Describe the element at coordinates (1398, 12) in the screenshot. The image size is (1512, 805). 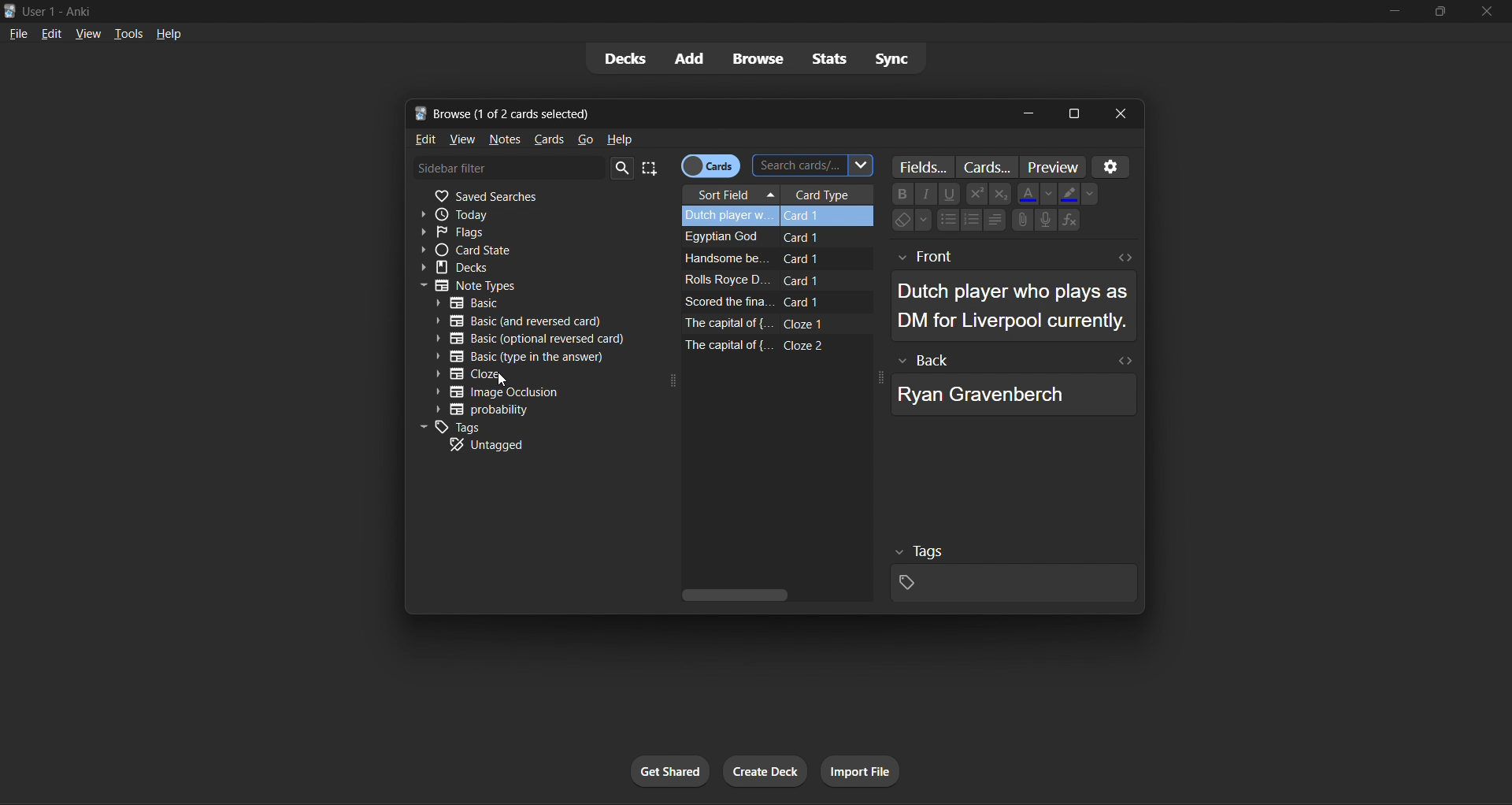
I see `minimize` at that location.